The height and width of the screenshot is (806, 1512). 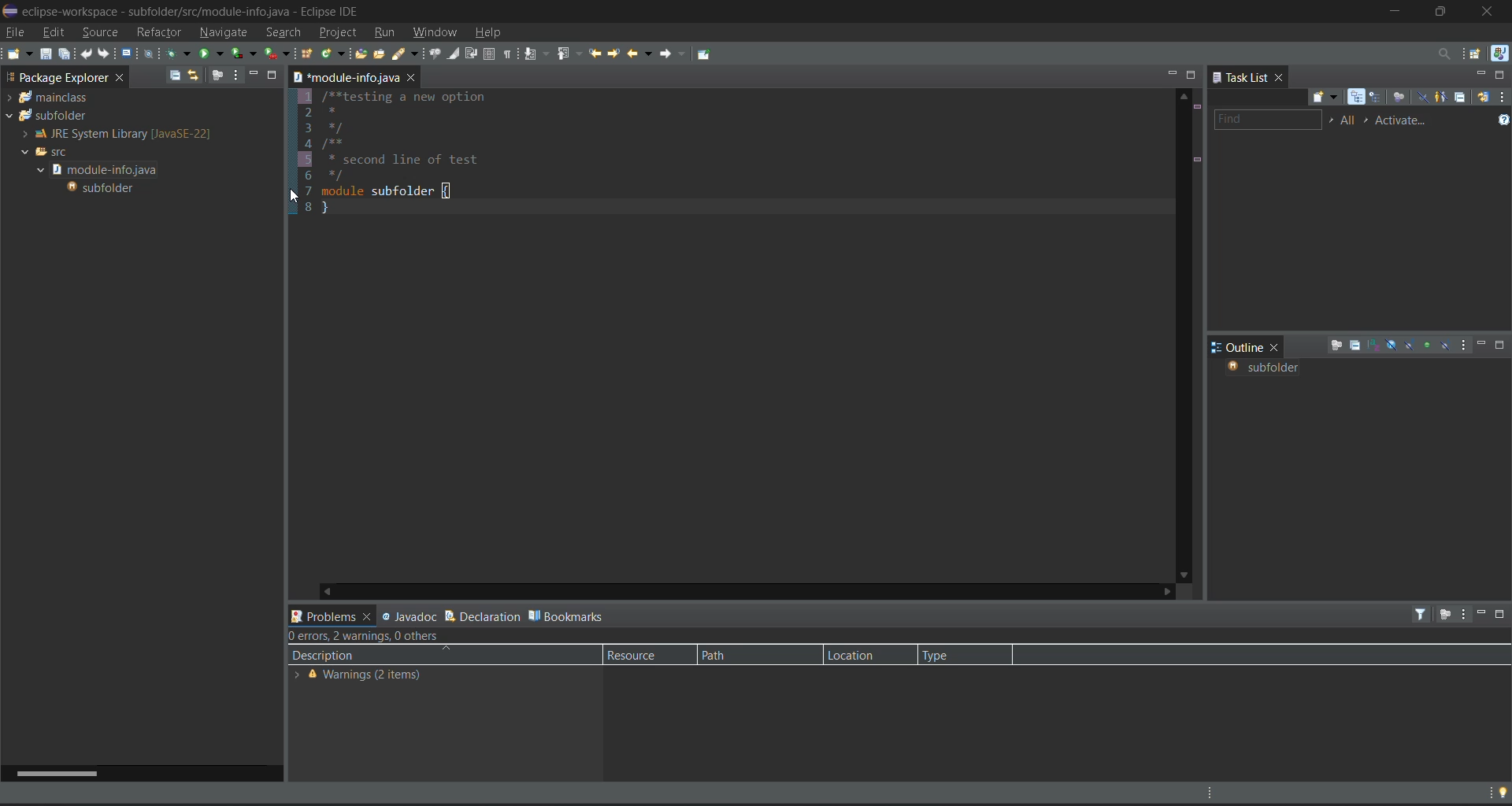 What do you see at coordinates (1503, 616) in the screenshot?
I see `maximize` at bounding box center [1503, 616].